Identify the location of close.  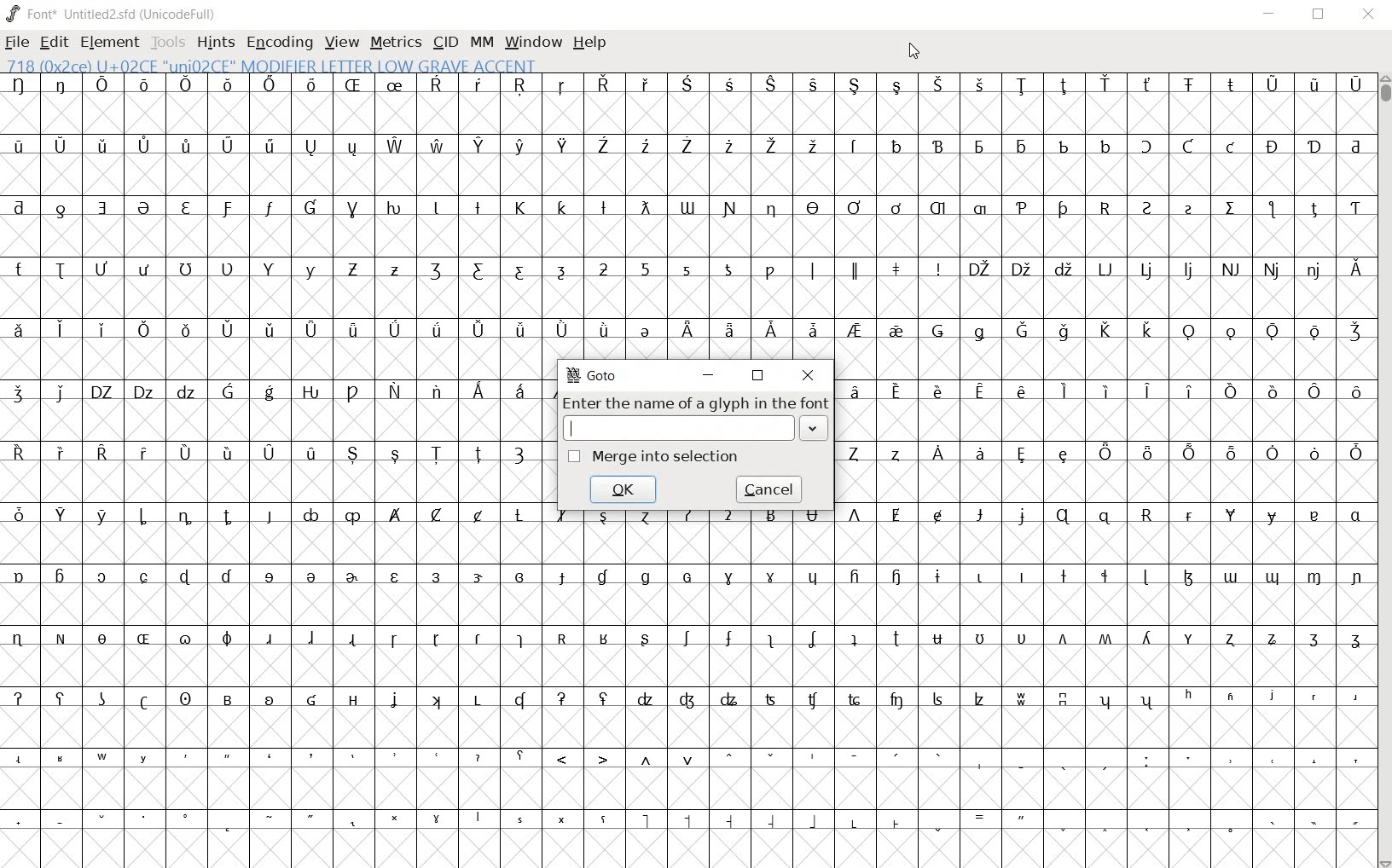
(912, 52).